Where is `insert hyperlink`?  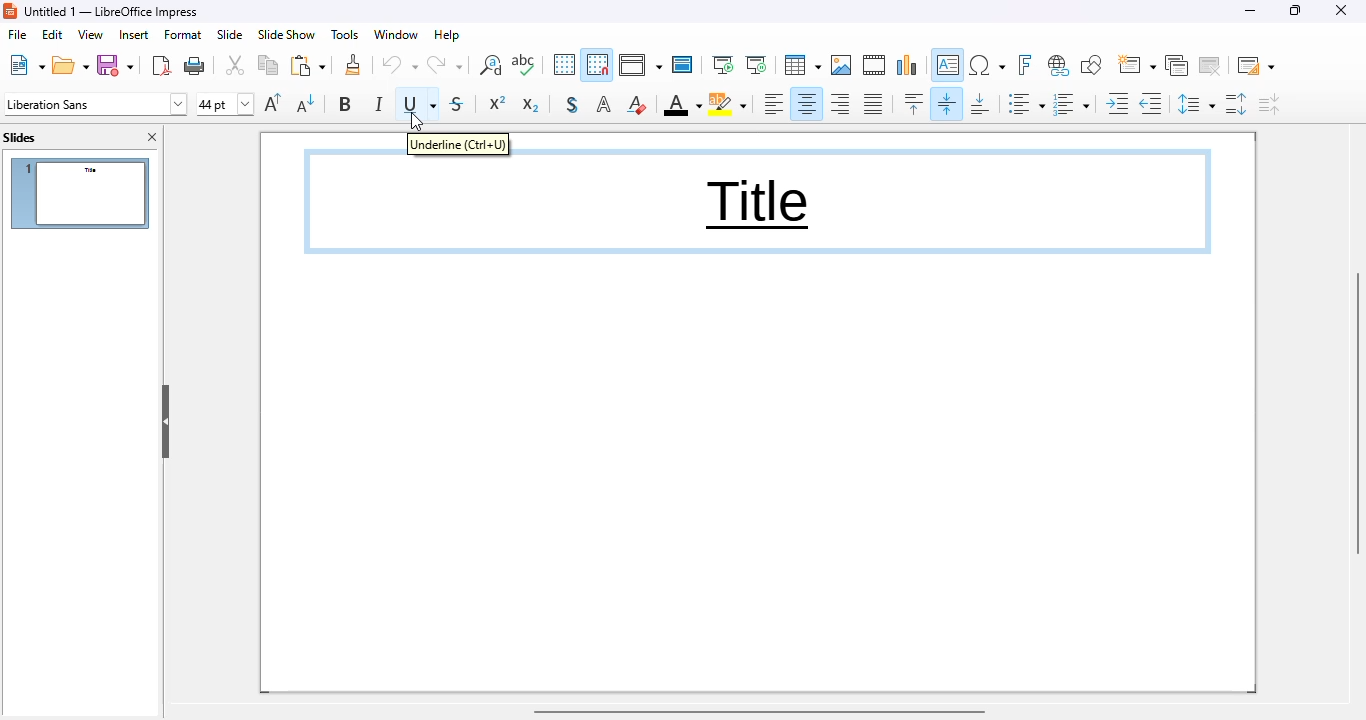
insert hyperlink is located at coordinates (1060, 65).